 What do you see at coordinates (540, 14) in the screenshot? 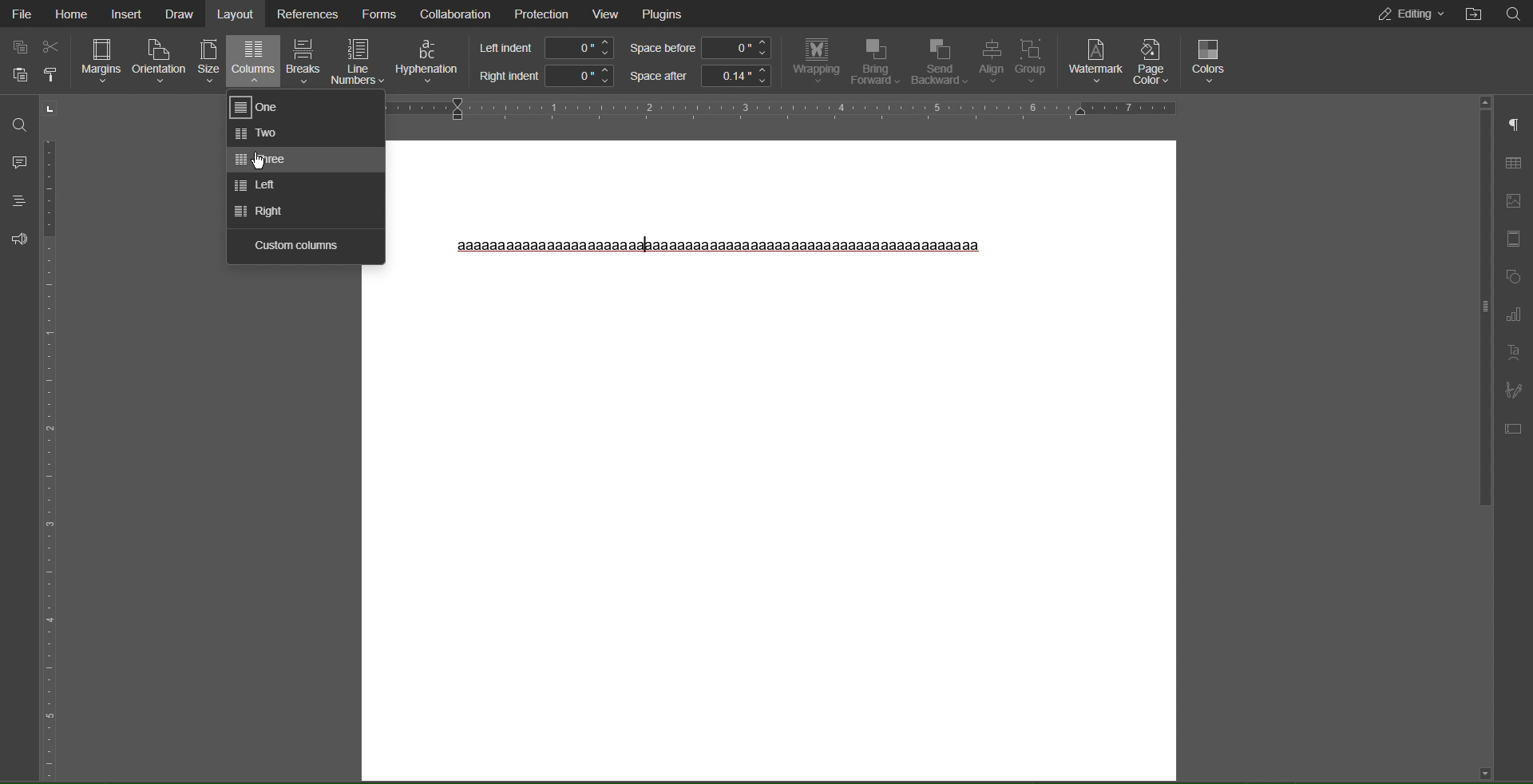
I see `Protection` at bounding box center [540, 14].